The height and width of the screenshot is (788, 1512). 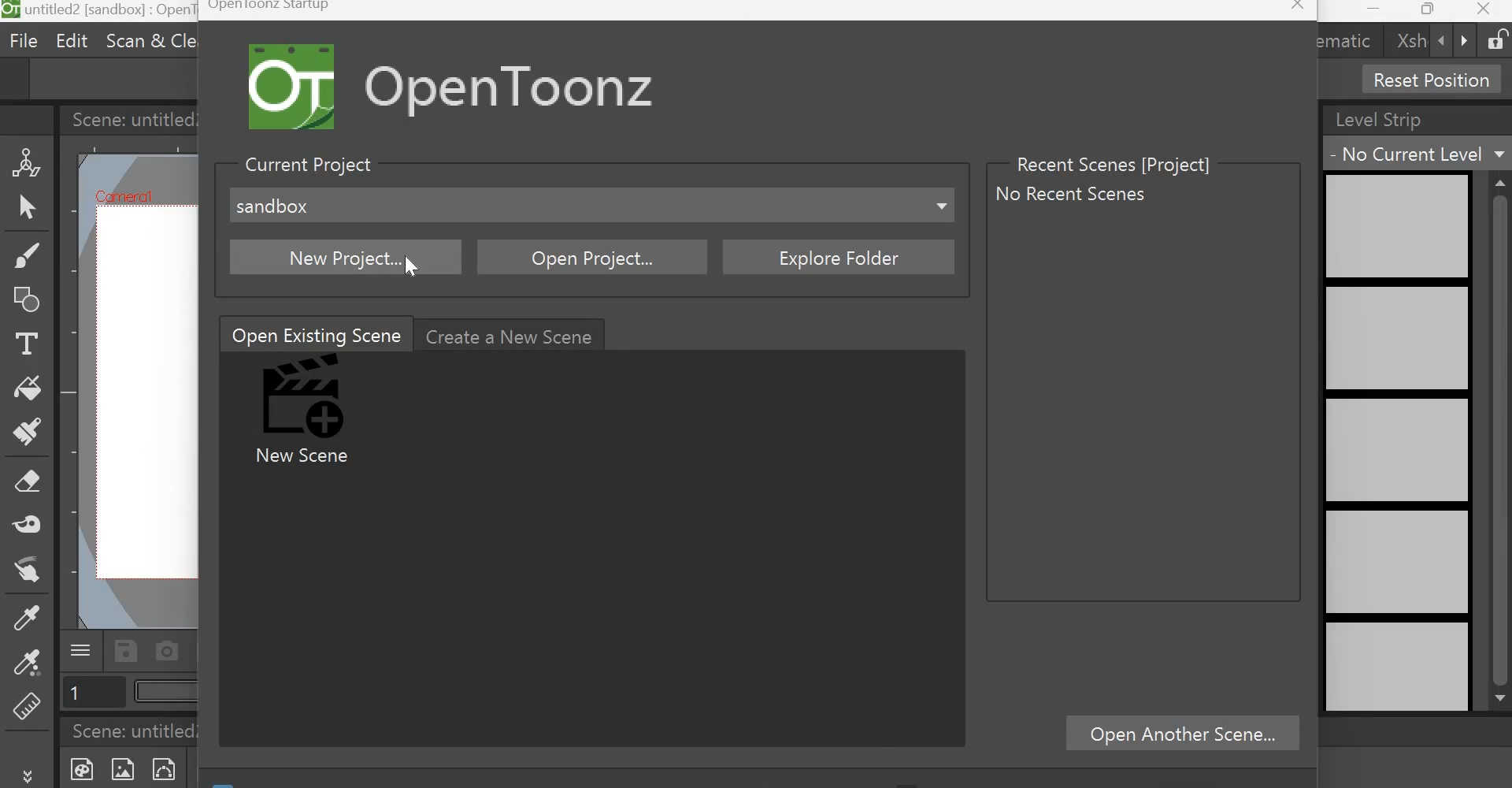 What do you see at coordinates (169, 650) in the screenshot?
I see `Capture` at bounding box center [169, 650].